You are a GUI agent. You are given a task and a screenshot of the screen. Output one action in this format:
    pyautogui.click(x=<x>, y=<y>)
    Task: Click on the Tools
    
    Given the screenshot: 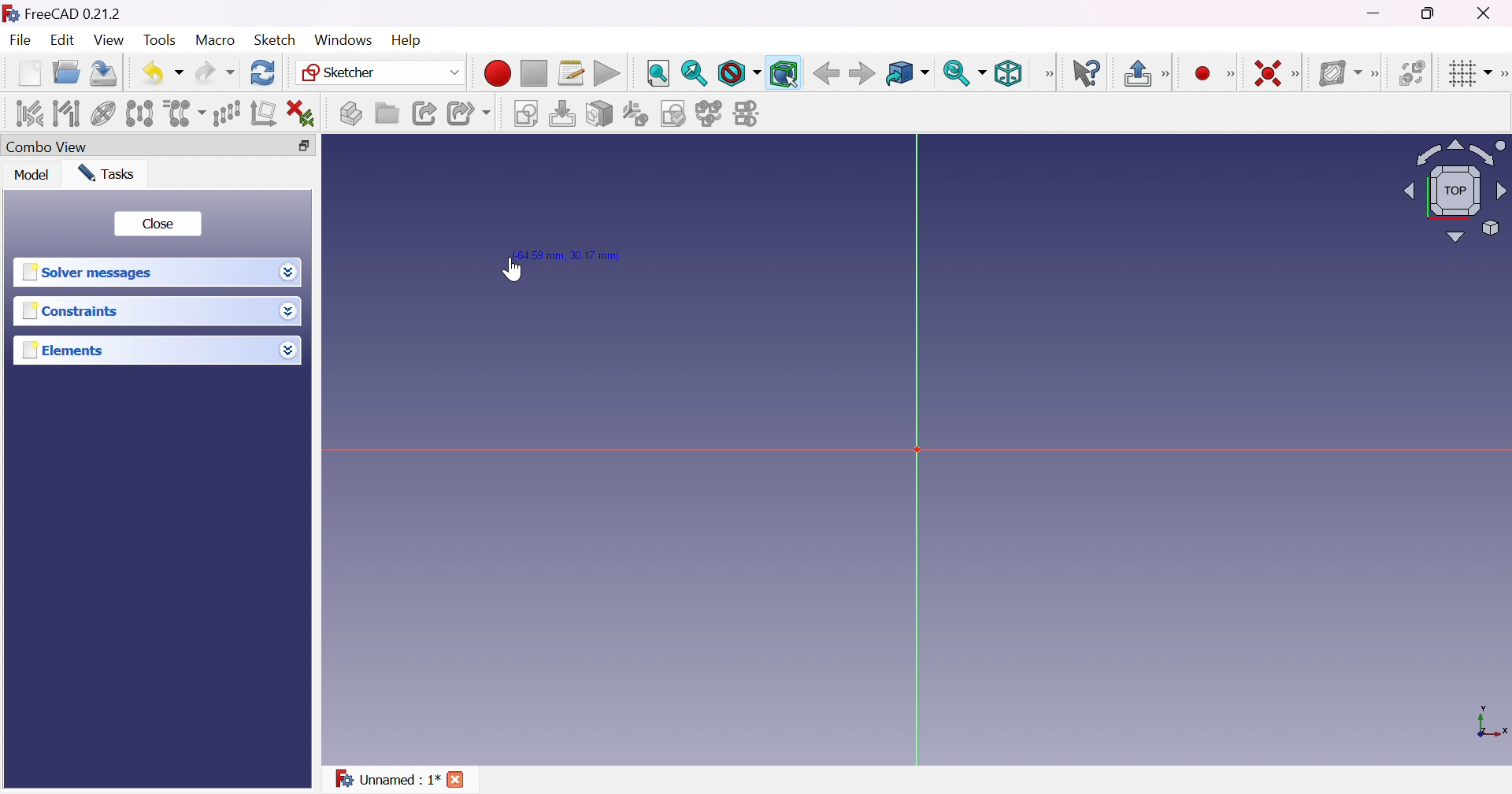 What is the action you would take?
    pyautogui.click(x=161, y=40)
    